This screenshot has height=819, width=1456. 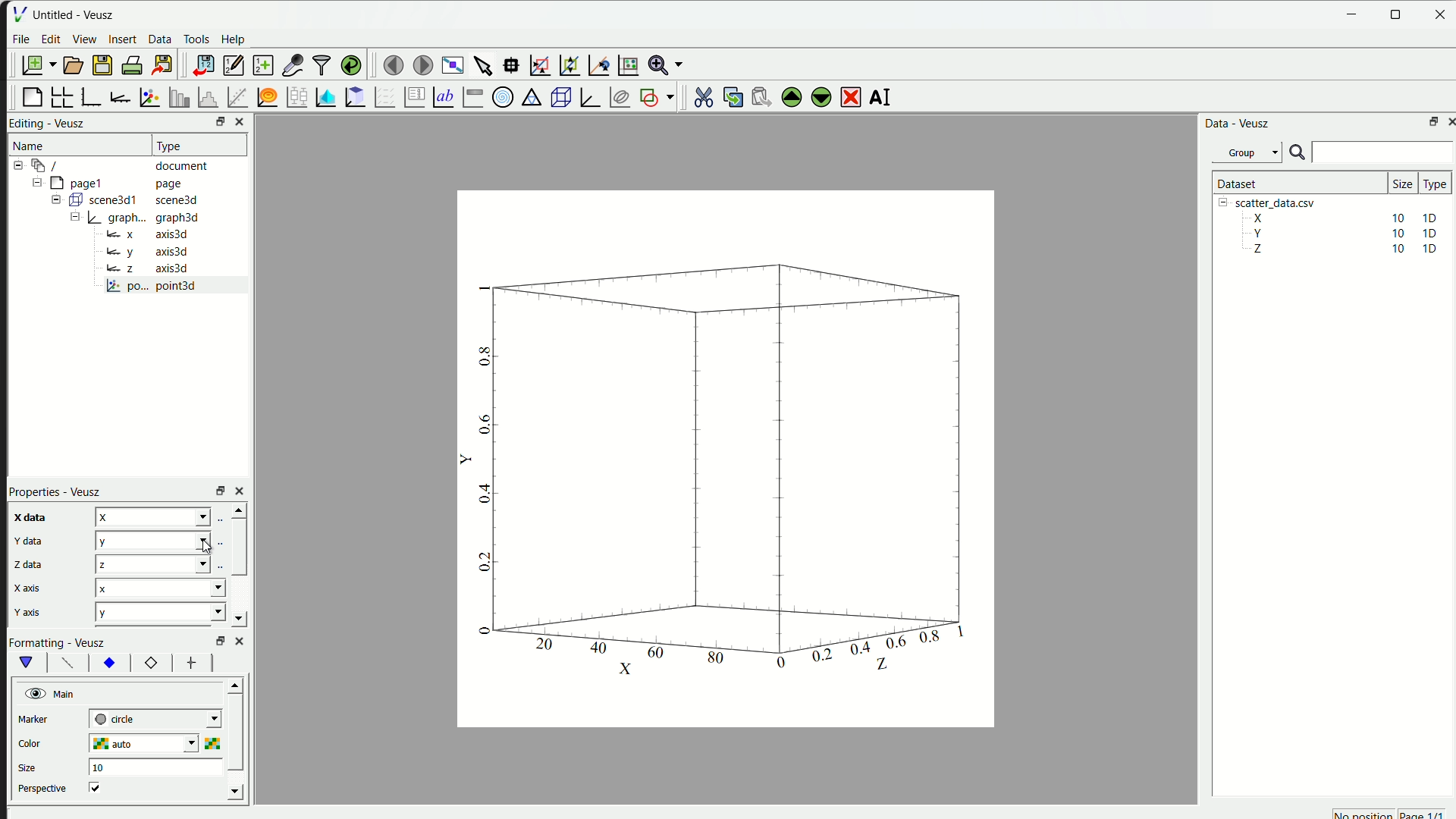 I want to click on X 10 10, so click(x=1339, y=217).